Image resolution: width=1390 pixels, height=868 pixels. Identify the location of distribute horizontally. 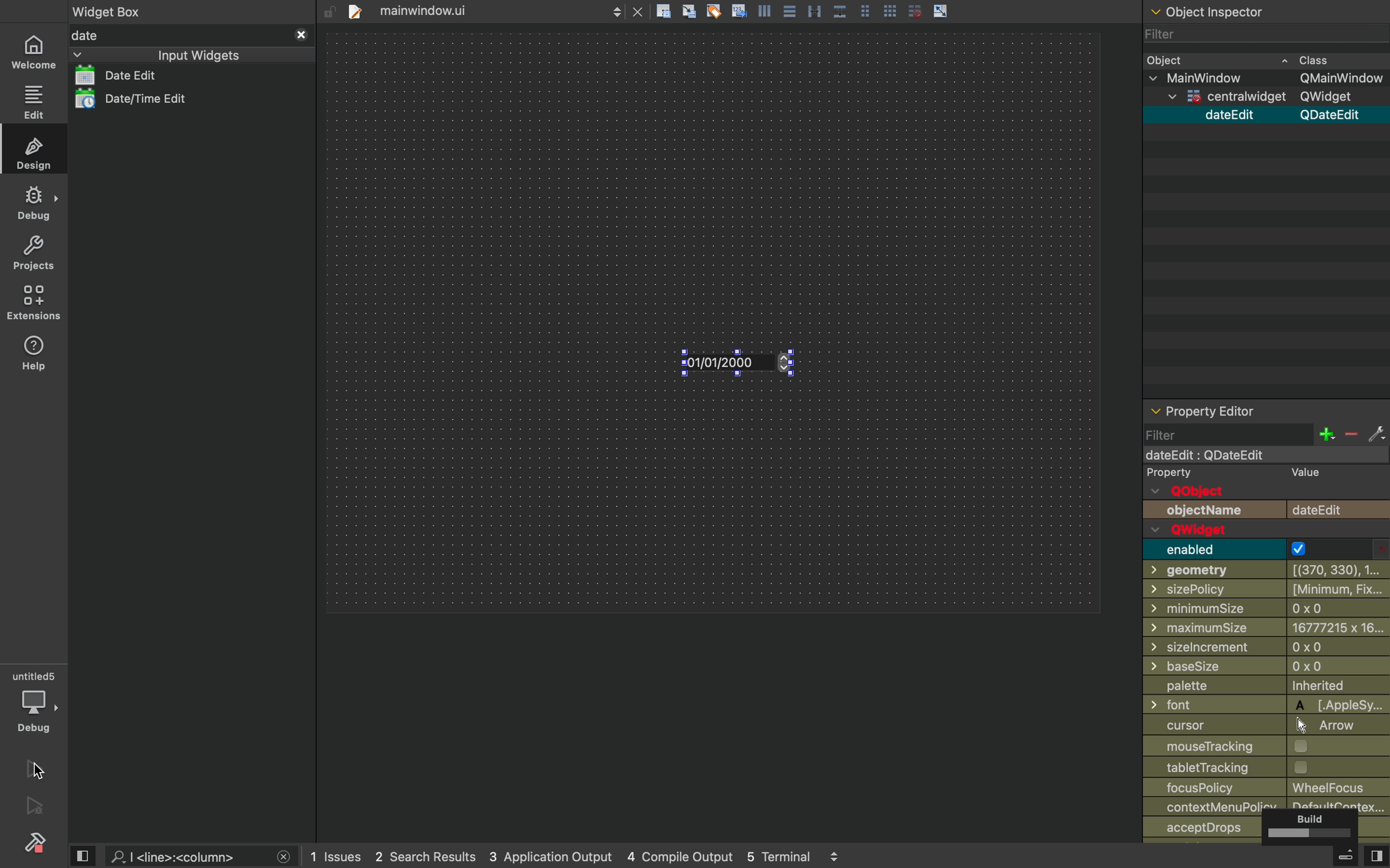
(814, 10).